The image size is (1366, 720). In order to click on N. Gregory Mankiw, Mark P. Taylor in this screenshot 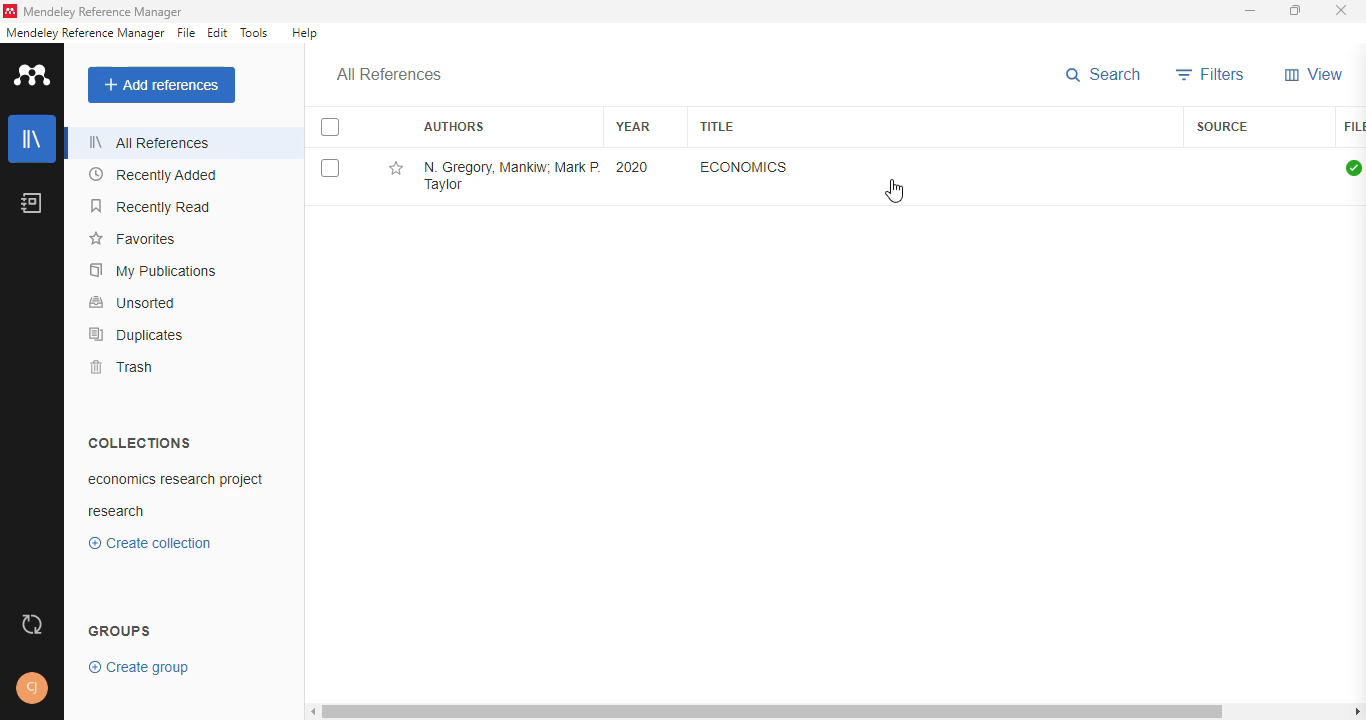, I will do `click(512, 176)`.